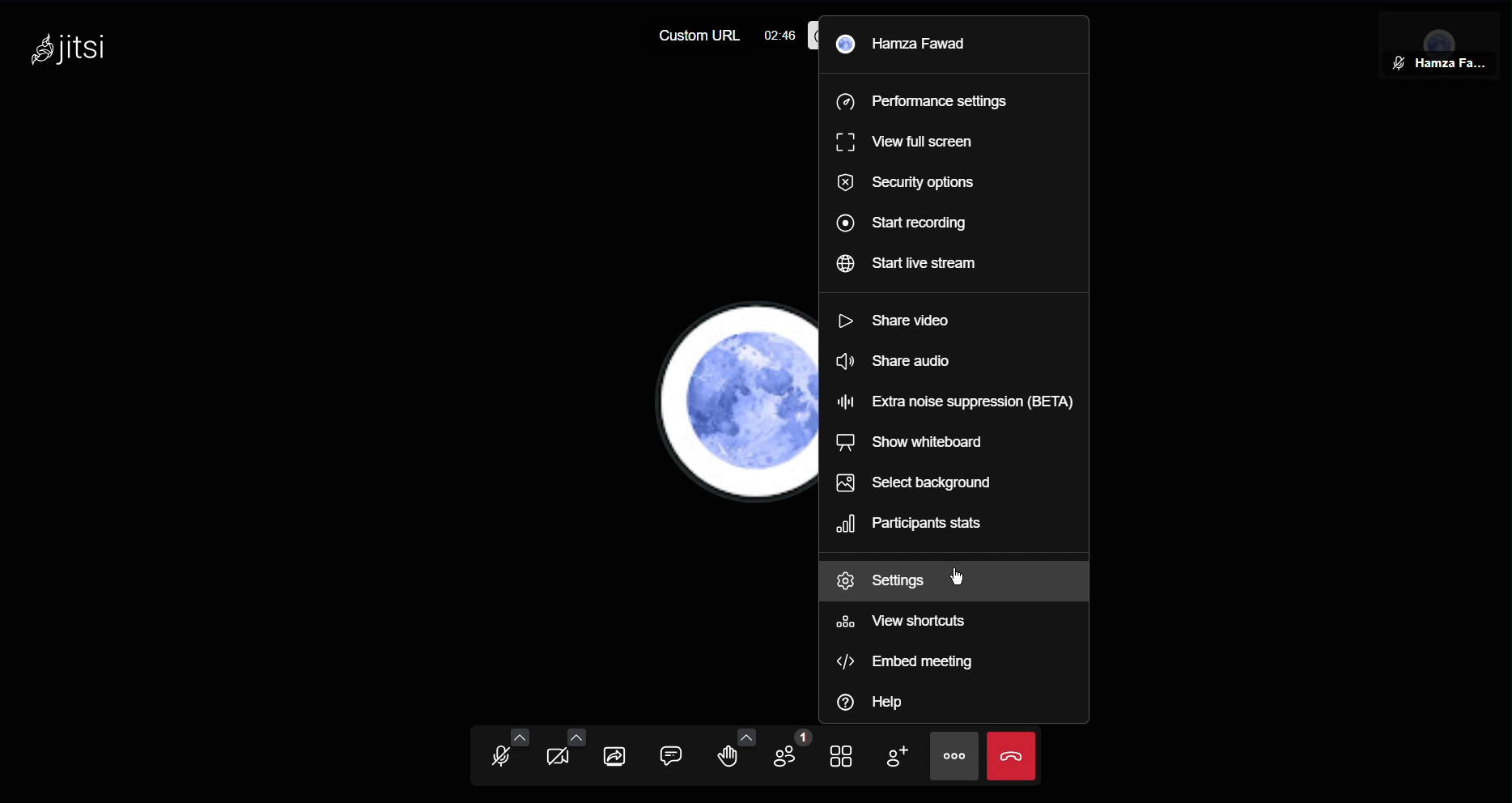  I want to click on View shortcuts, so click(904, 624).